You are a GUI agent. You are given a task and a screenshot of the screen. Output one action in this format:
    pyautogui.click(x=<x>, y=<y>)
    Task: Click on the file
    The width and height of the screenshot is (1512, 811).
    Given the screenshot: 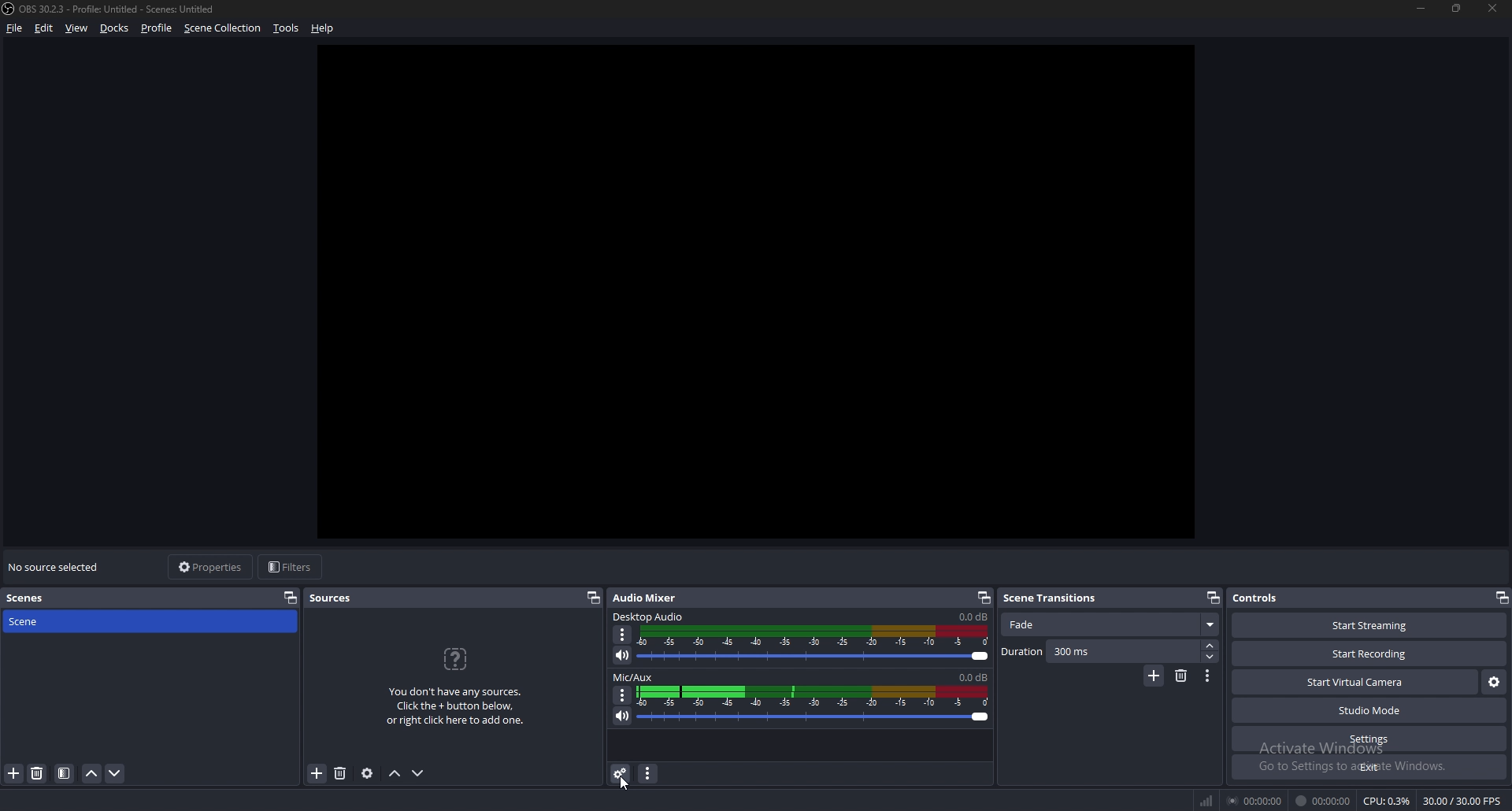 What is the action you would take?
    pyautogui.click(x=16, y=28)
    